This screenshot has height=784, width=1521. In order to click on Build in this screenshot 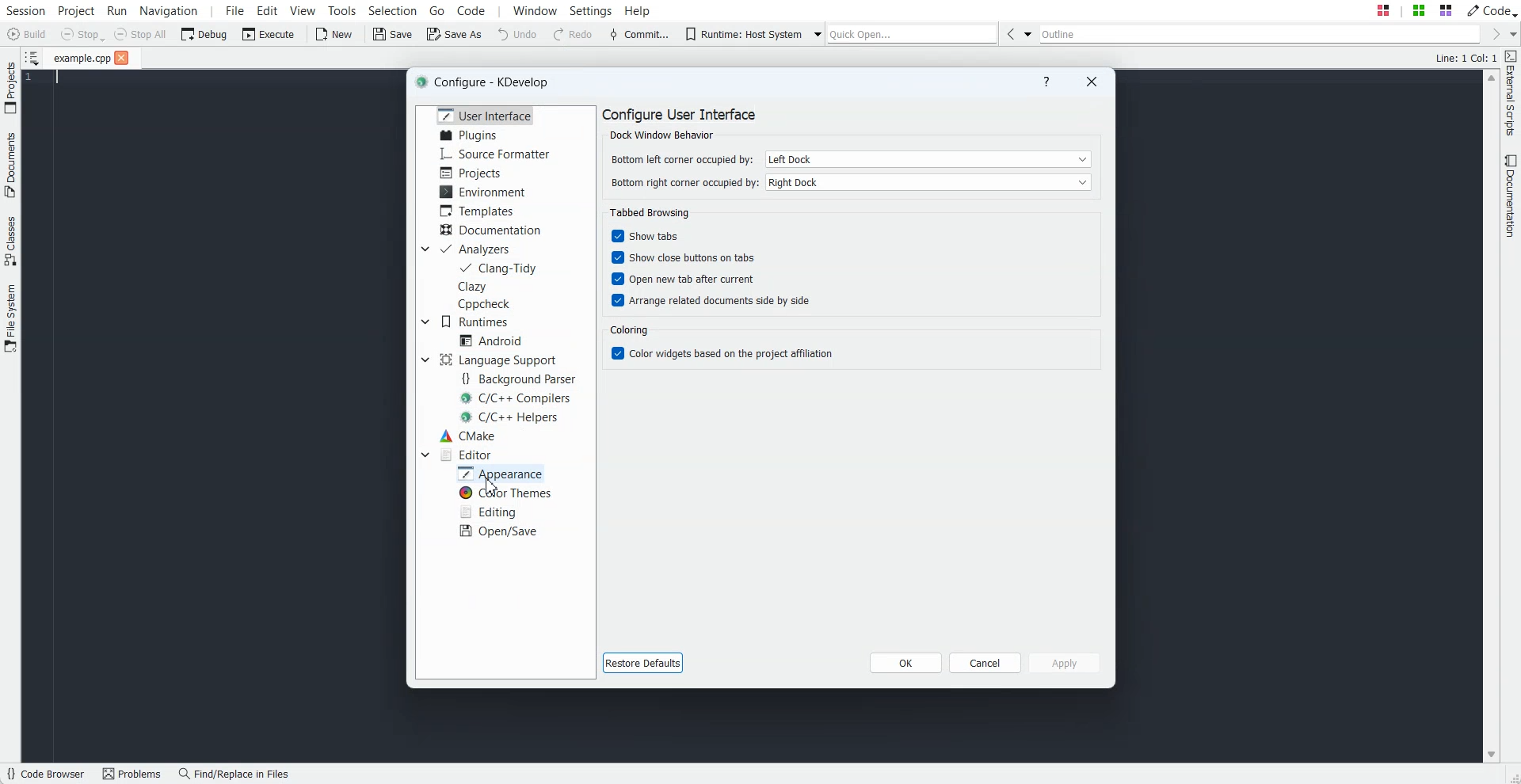, I will do `click(25, 33)`.